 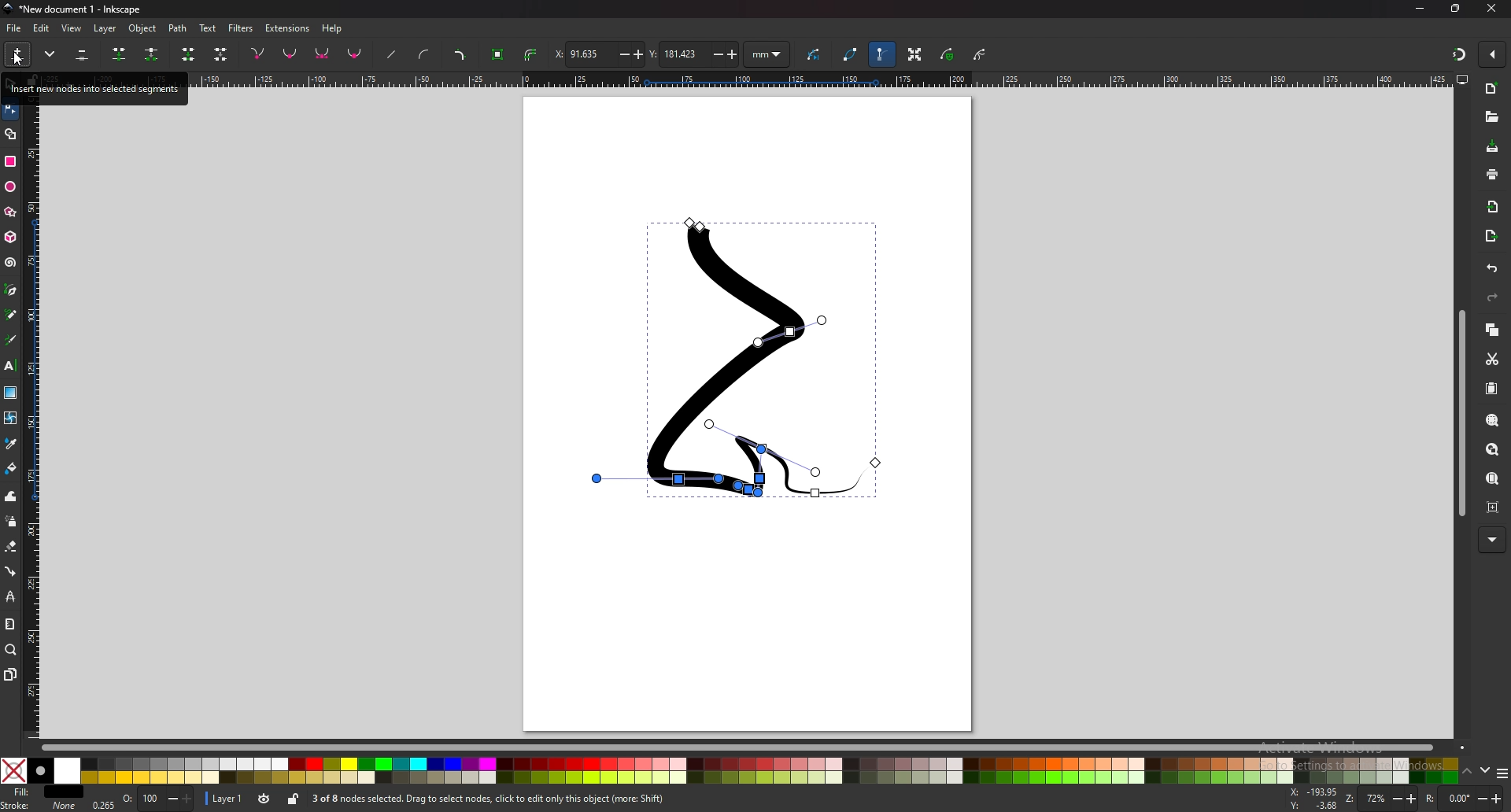 I want to click on rotate, so click(x=1462, y=797).